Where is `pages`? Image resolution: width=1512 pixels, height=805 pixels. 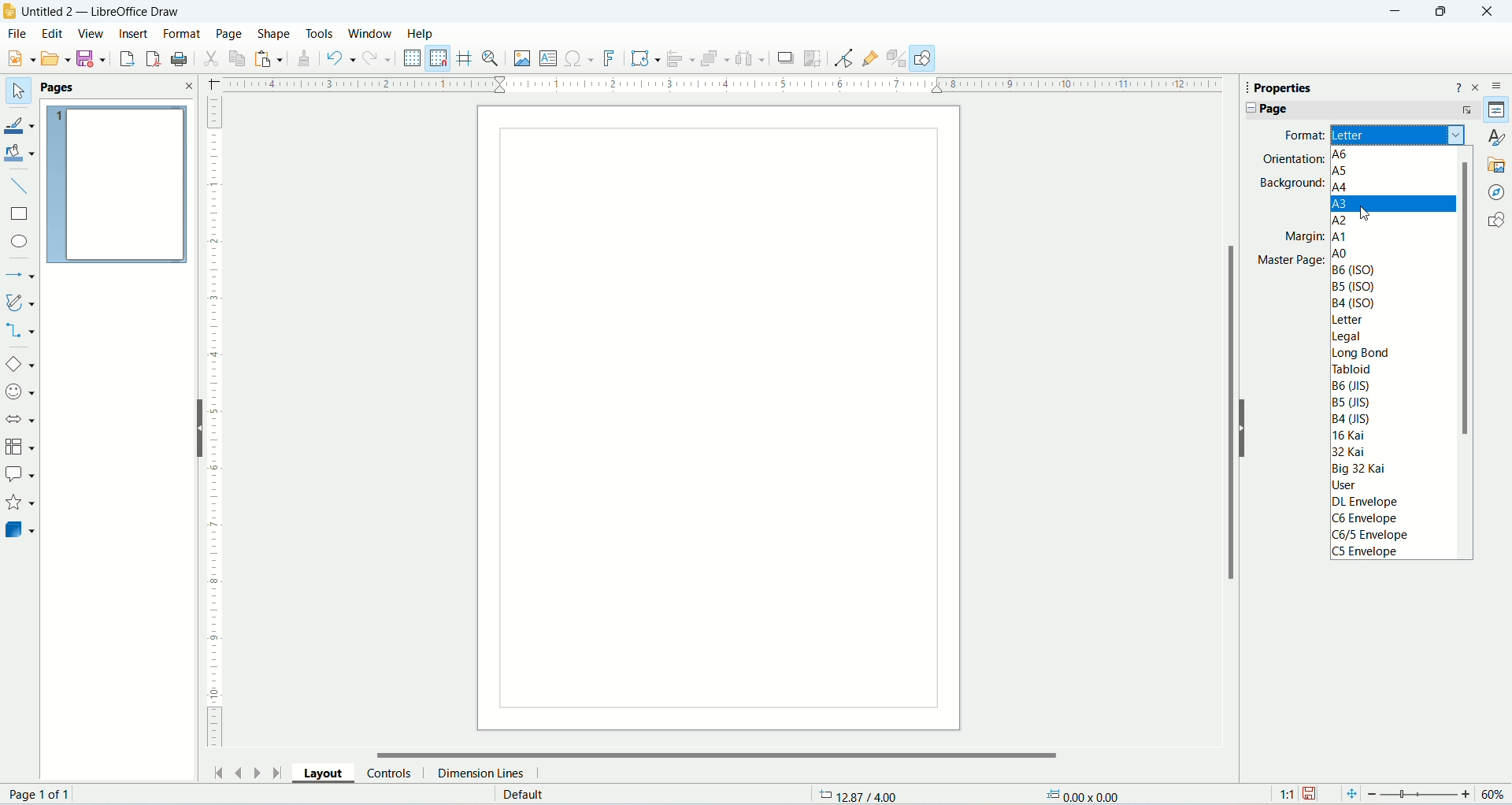
pages is located at coordinates (117, 184).